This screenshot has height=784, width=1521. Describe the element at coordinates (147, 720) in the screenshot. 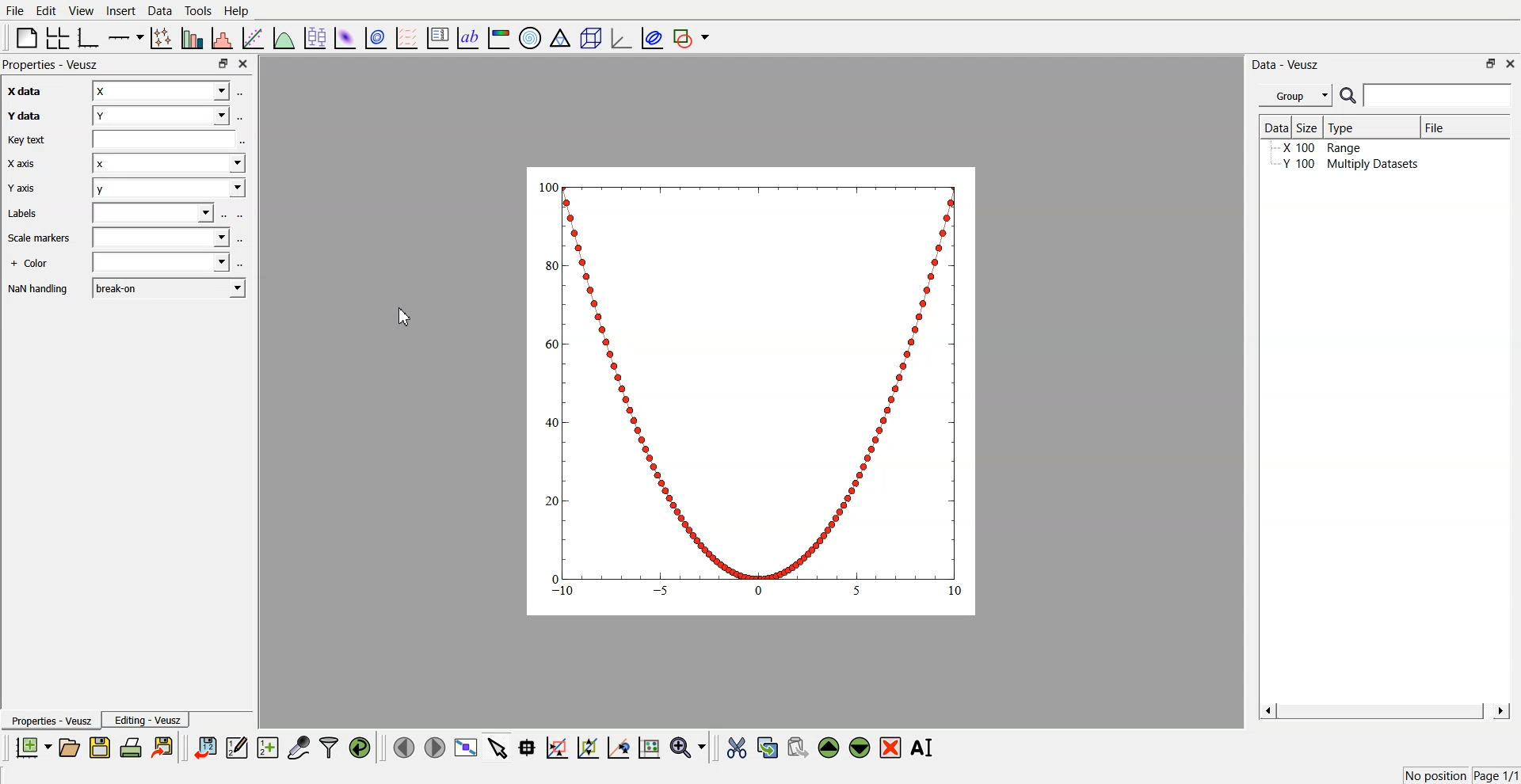

I see `Editing - Veusz` at that location.